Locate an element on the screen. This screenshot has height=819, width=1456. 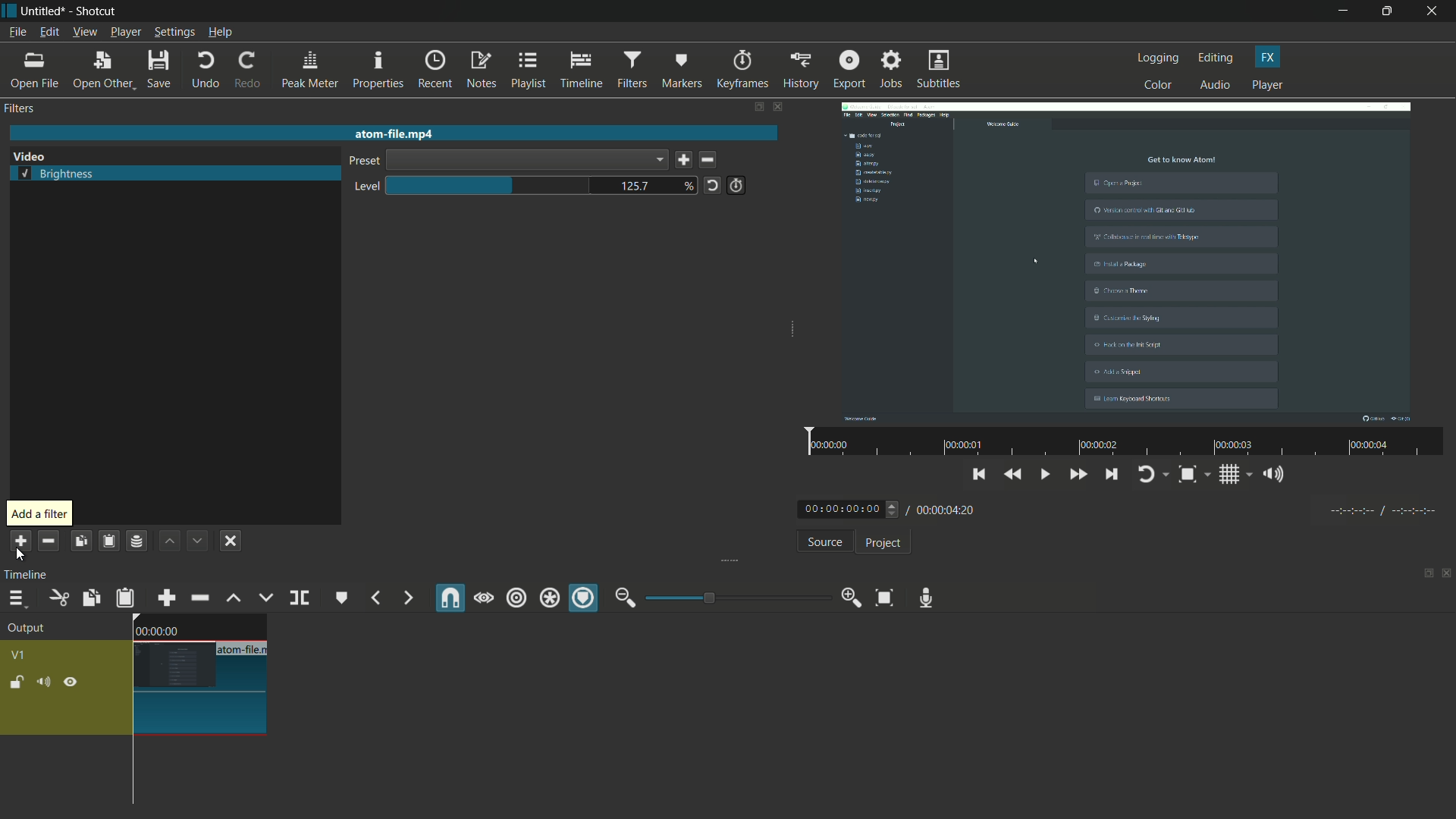
save is located at coordinates (683, 161).